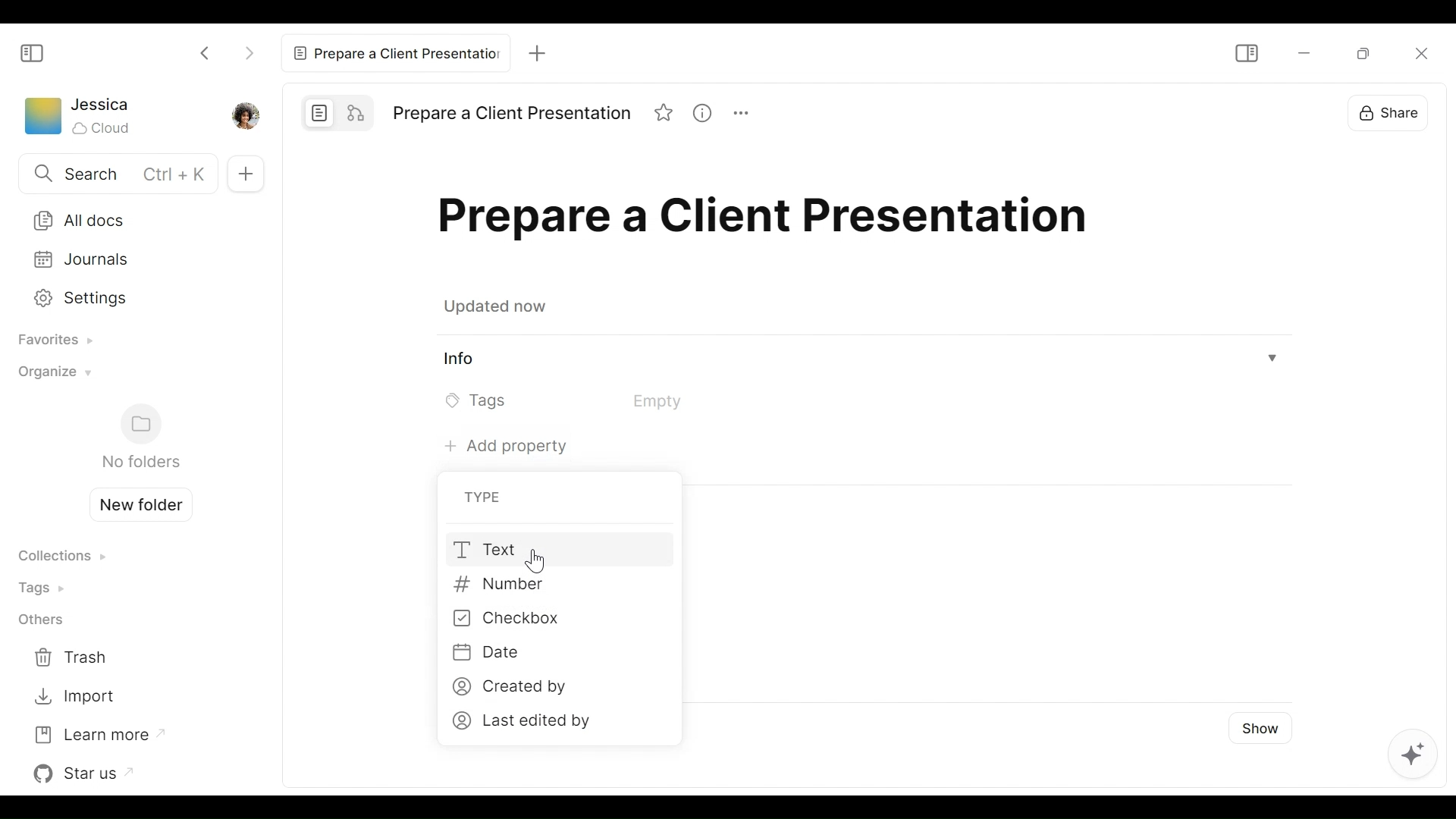  Describe the element at coordinates (42, 119) in the screenshot. I see `Workspace` at that location.